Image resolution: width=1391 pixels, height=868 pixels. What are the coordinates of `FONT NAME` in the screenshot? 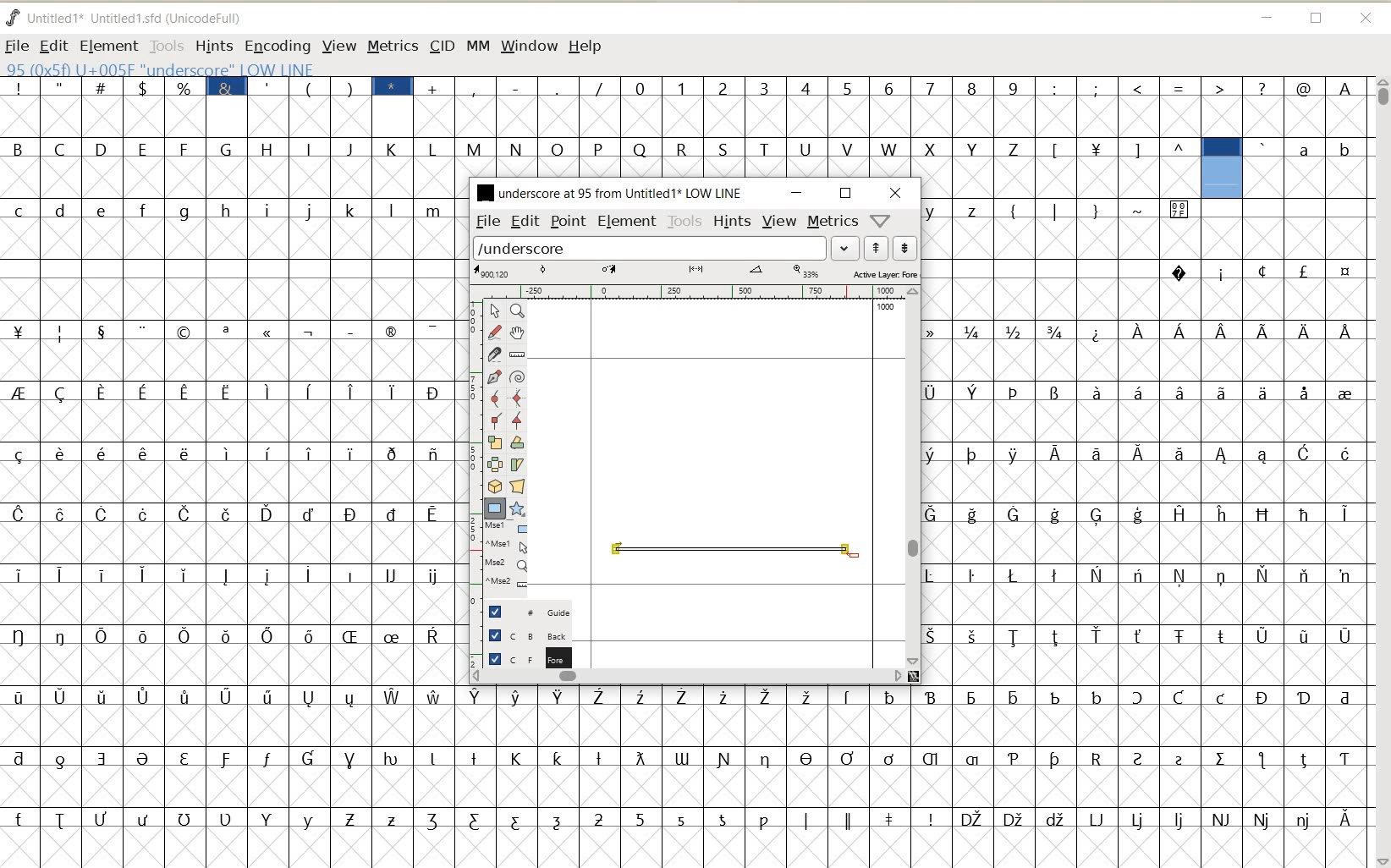 It's located at (138, 18).